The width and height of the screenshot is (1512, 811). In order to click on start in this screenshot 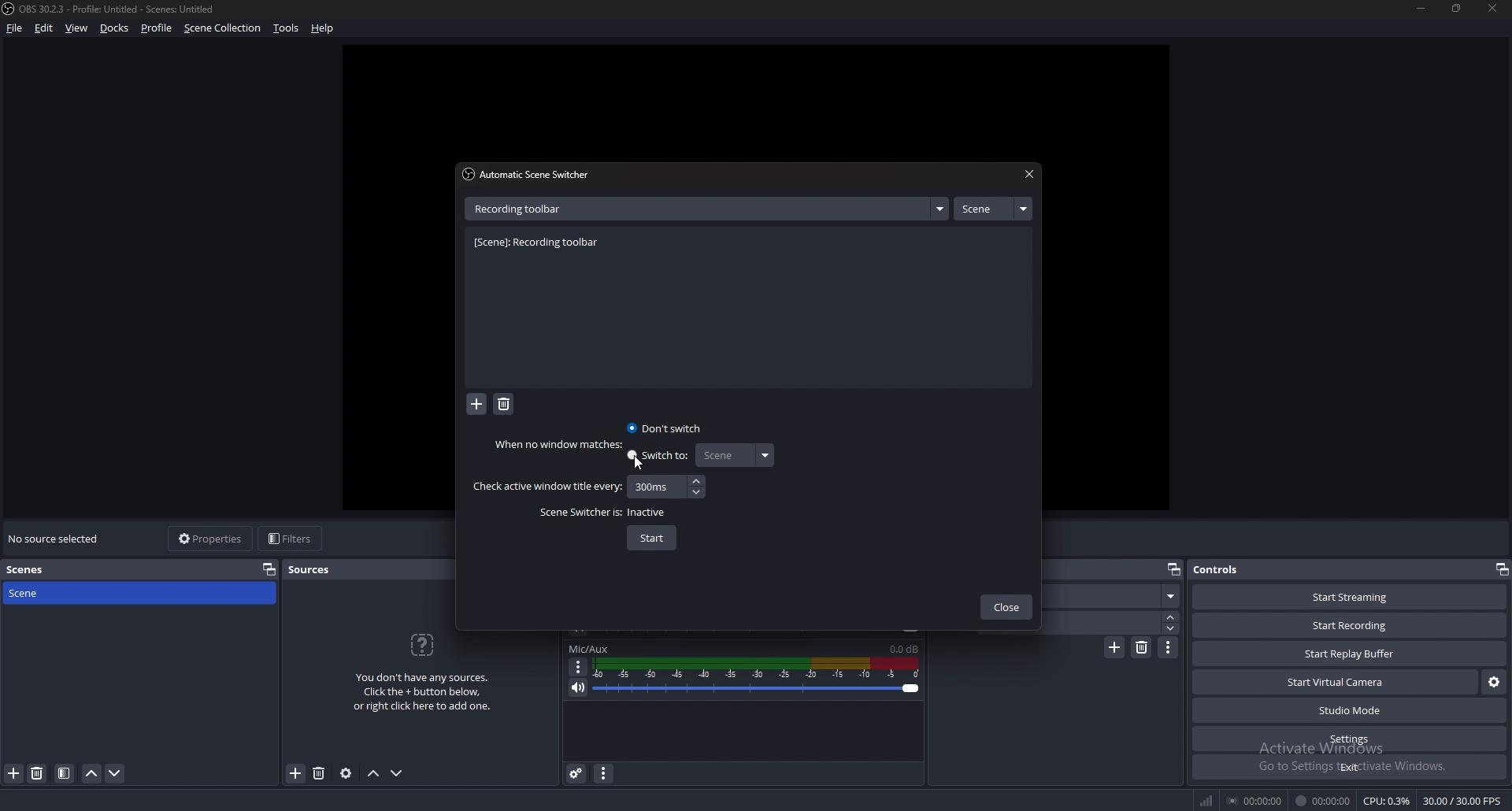, I will do `click(652, 539)`.